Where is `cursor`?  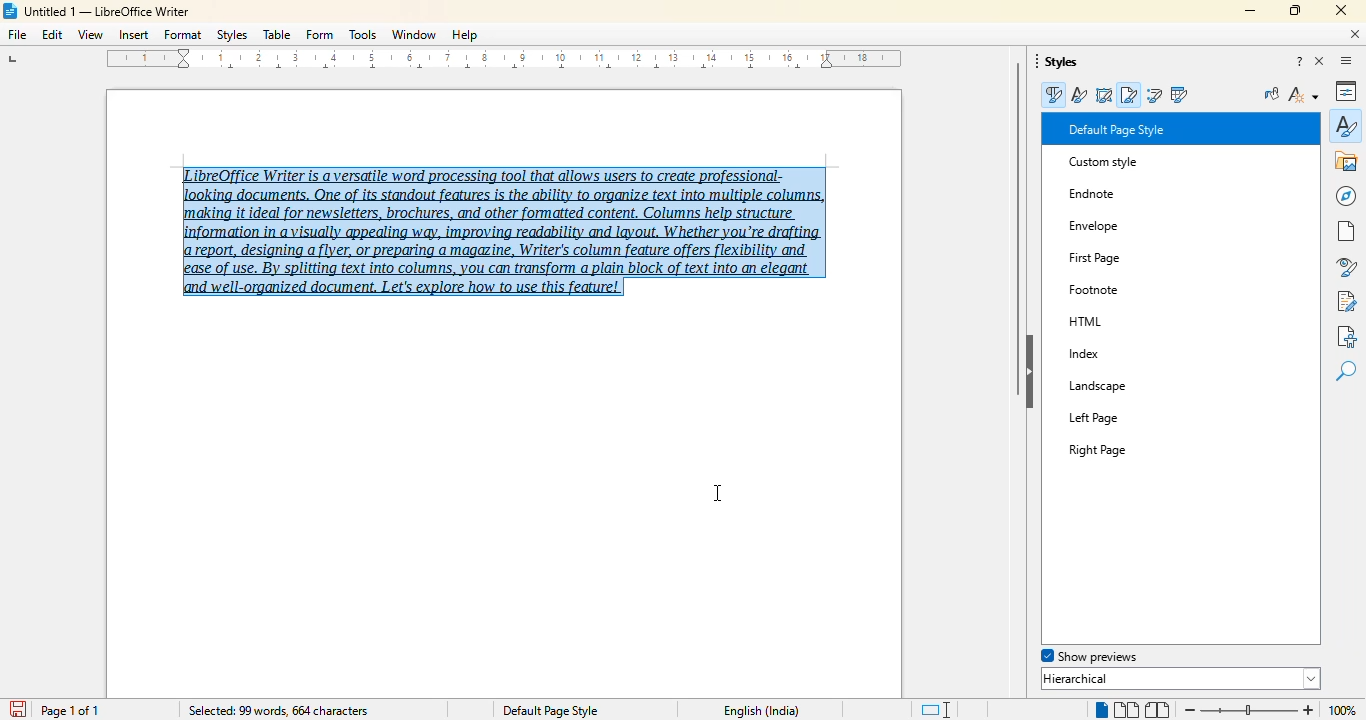
cursor is located at coordinates (715, 493).